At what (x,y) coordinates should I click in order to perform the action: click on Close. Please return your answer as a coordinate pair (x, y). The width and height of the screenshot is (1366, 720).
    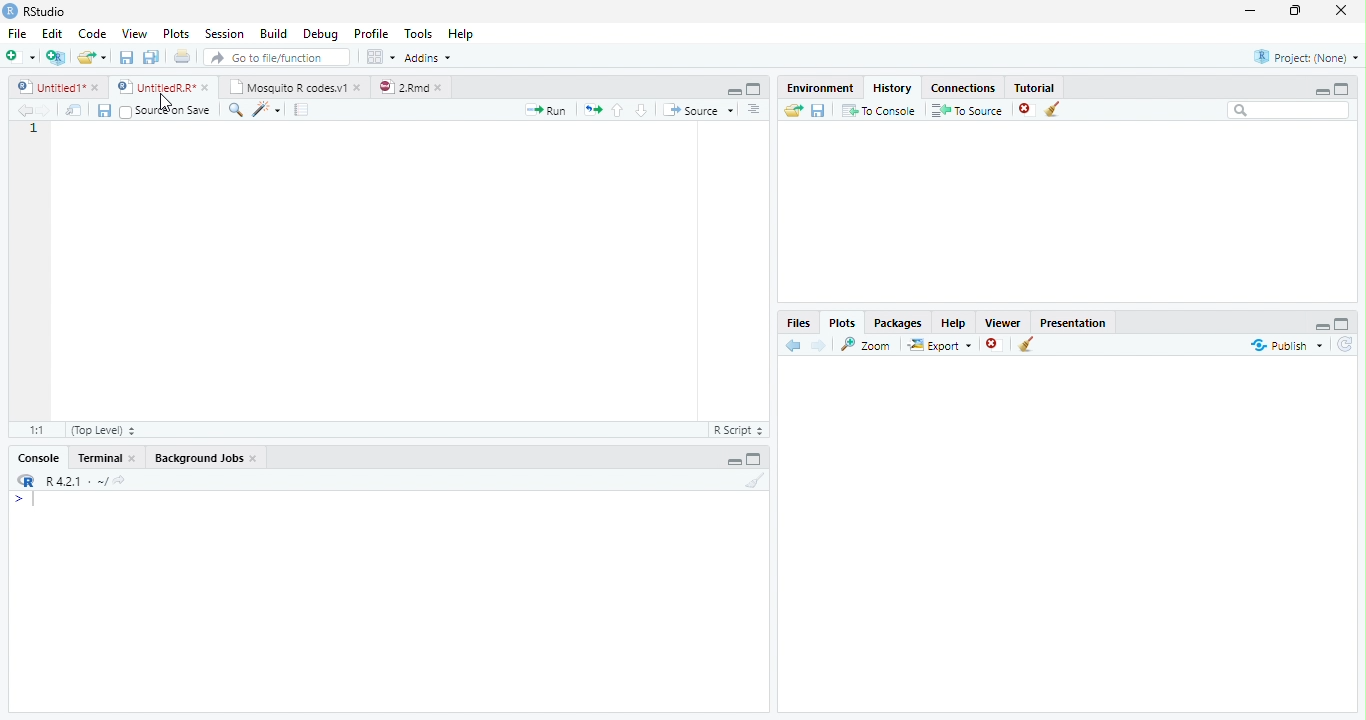
    Looking at the image, I should click on (1343, 11).